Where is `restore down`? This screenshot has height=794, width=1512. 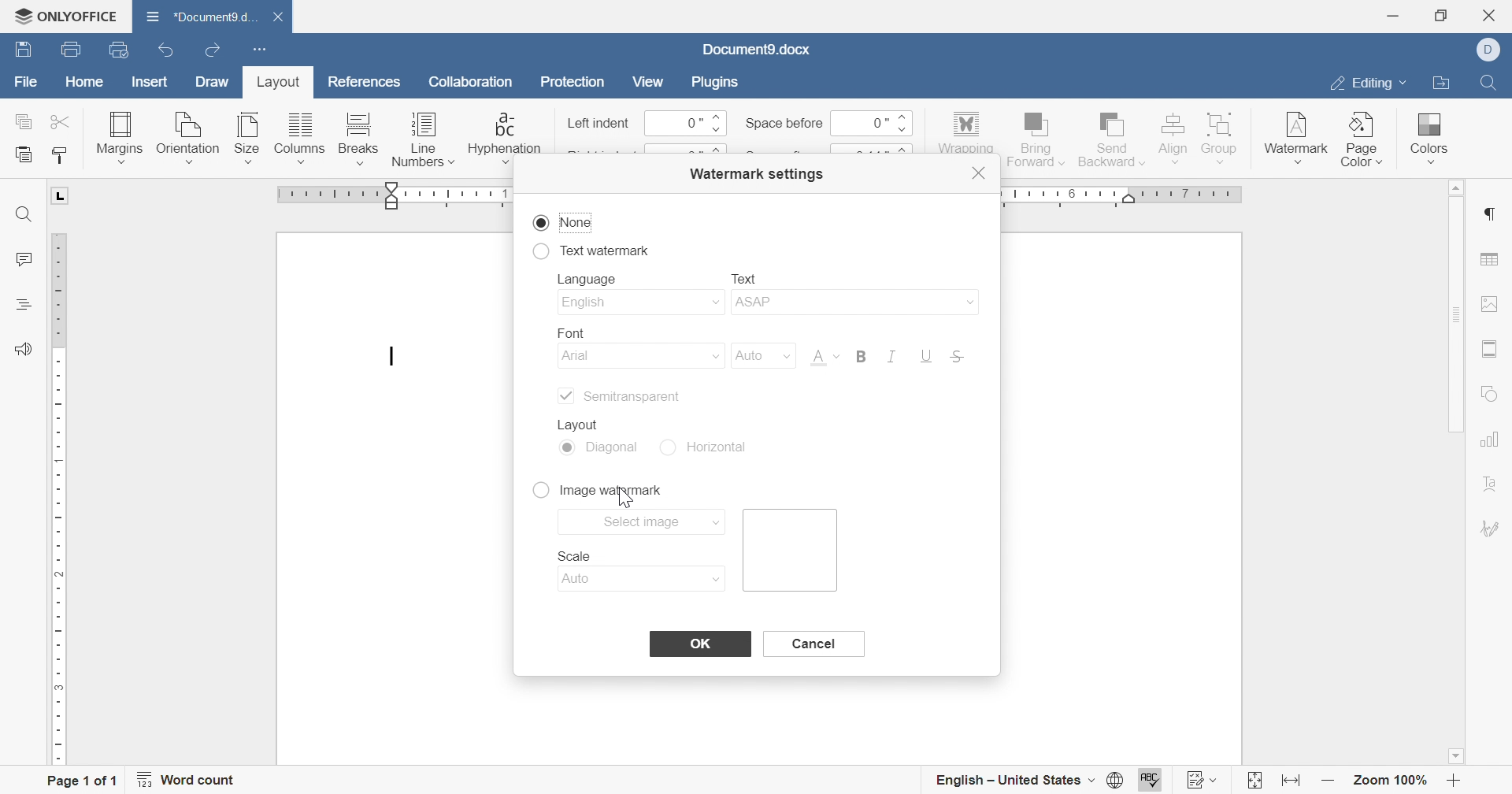 restore down is located at coordinates (1446, 15).